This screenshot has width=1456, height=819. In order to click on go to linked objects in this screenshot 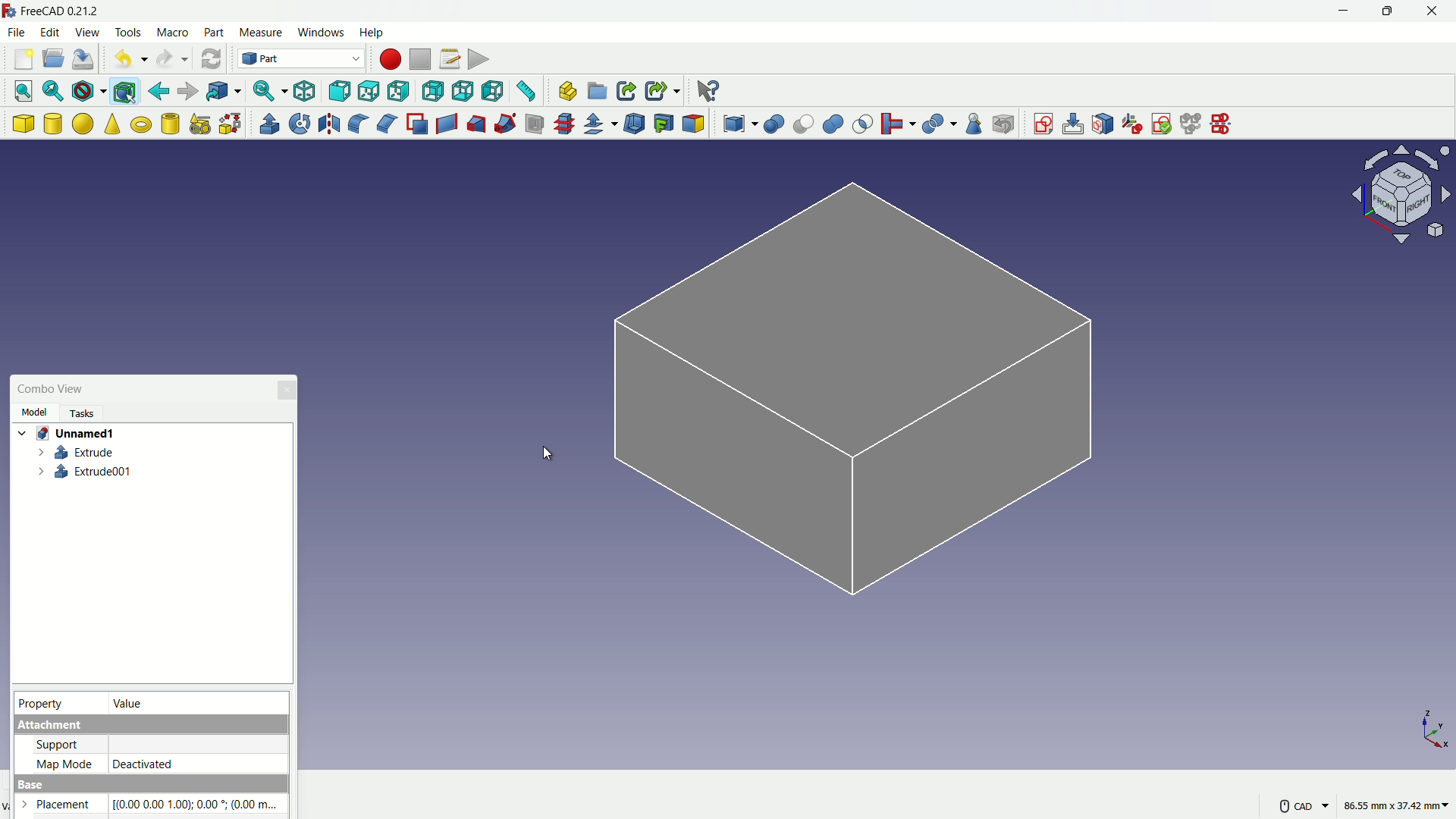, I will do `click(224, 90)`.